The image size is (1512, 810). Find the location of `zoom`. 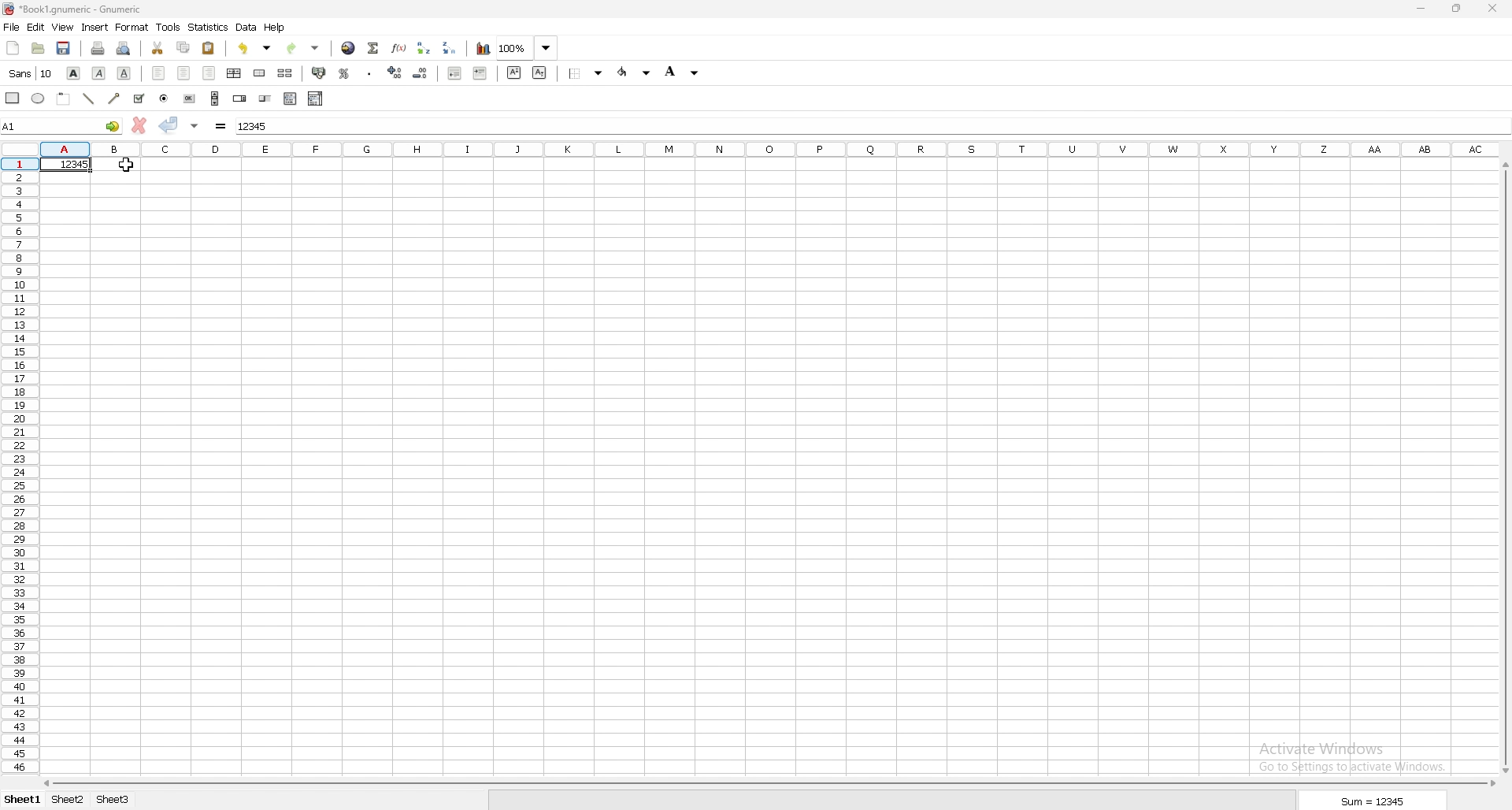

zoom is located at coordinates (528, 47).